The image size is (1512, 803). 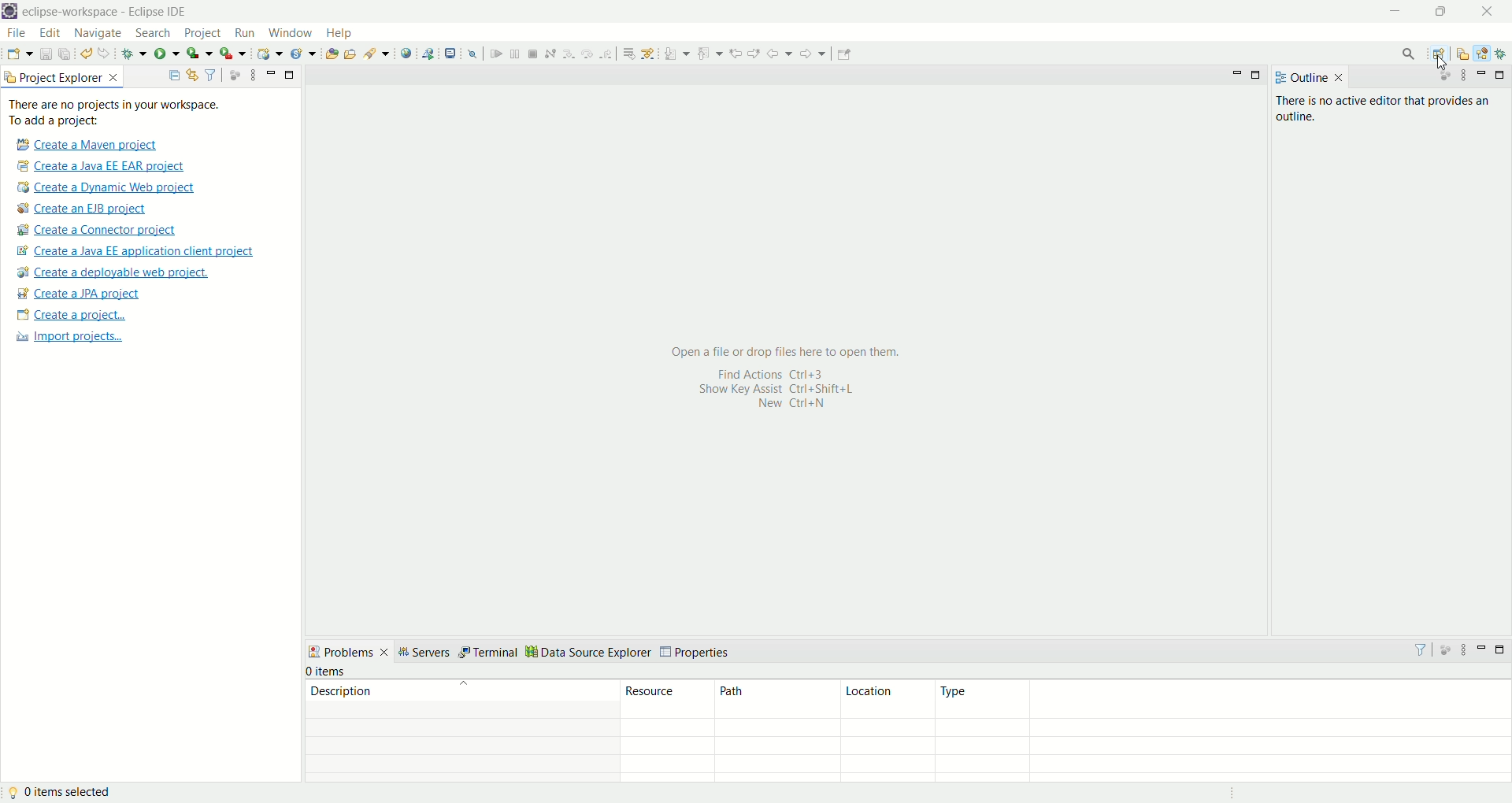 I want to click on open web browser, so click(x=407, y=54).